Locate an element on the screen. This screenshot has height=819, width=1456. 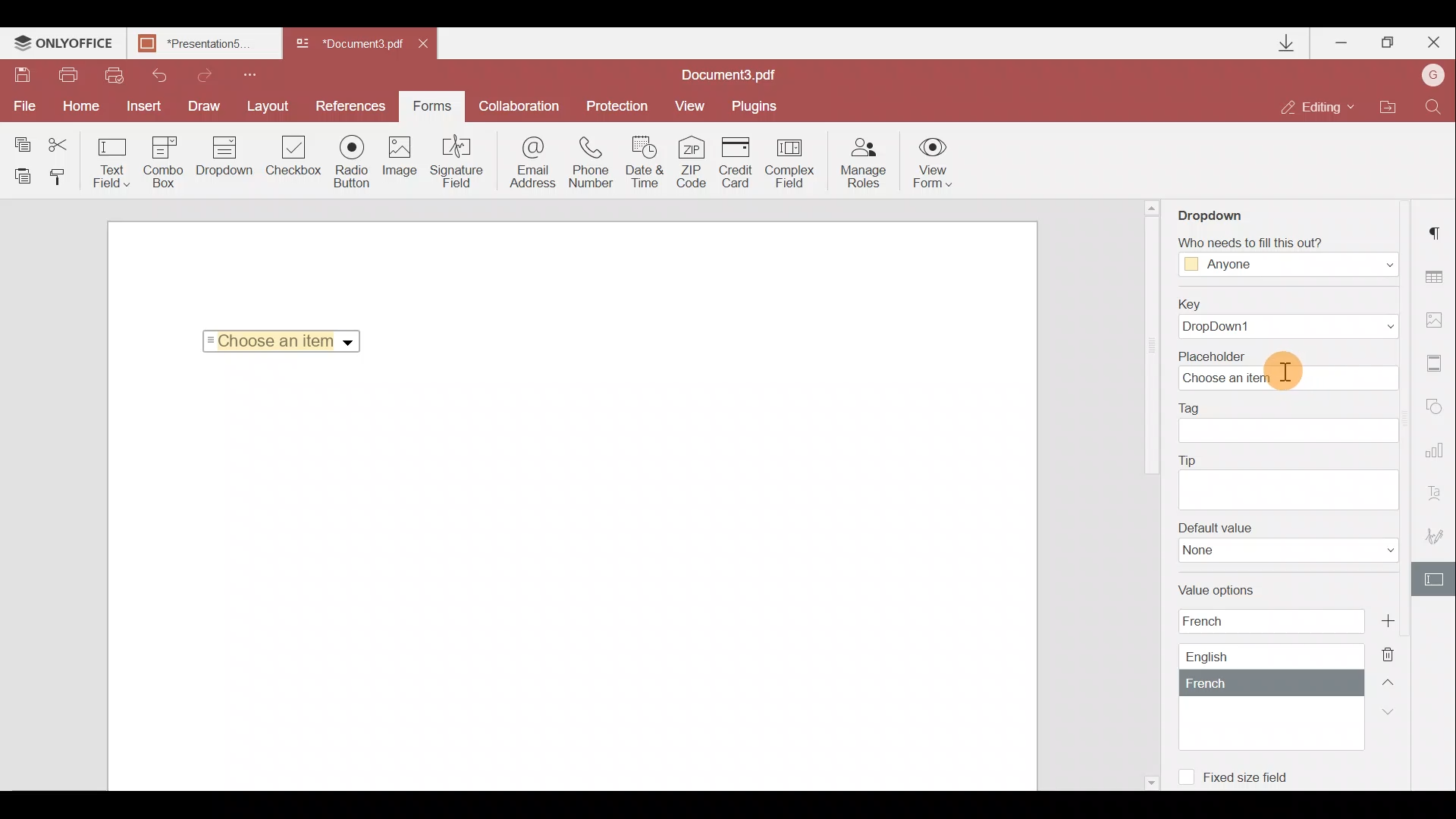
Date & time is located at coordinates (646, 165).